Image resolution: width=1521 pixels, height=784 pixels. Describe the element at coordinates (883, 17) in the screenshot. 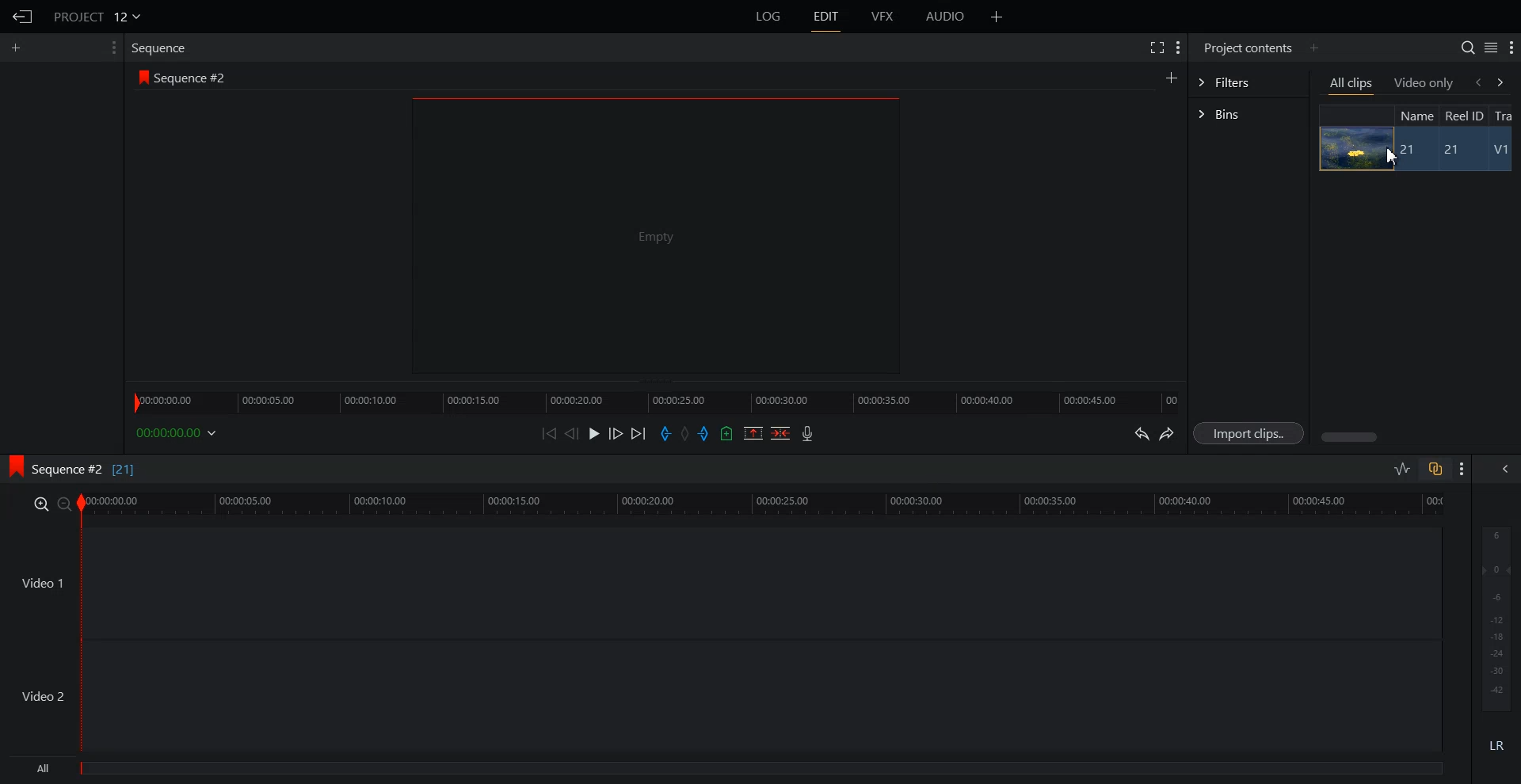

I see `VFX` at that location.